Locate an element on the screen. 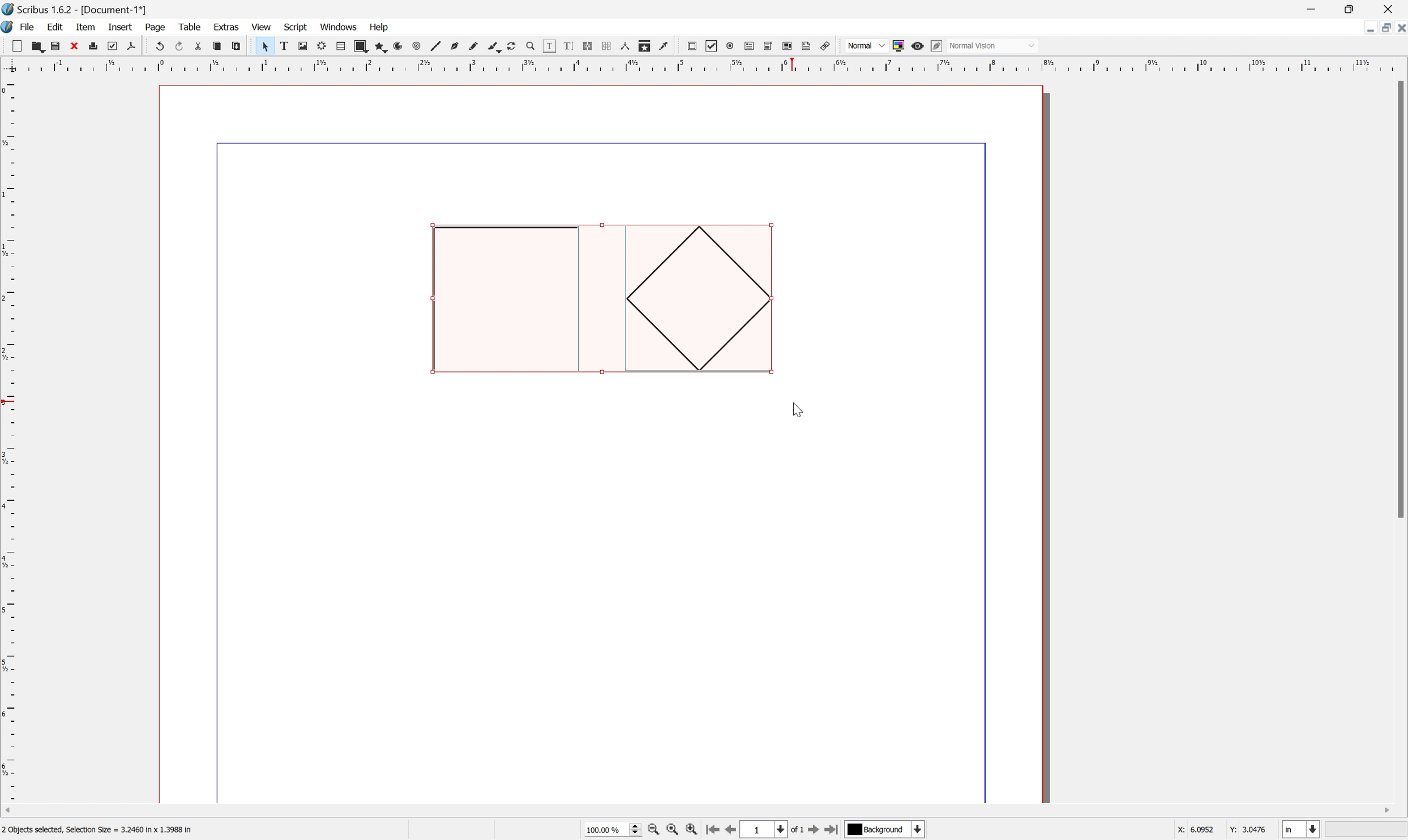 The image size is (1408, 840). Zoom in is located at coordinates (687, 830).